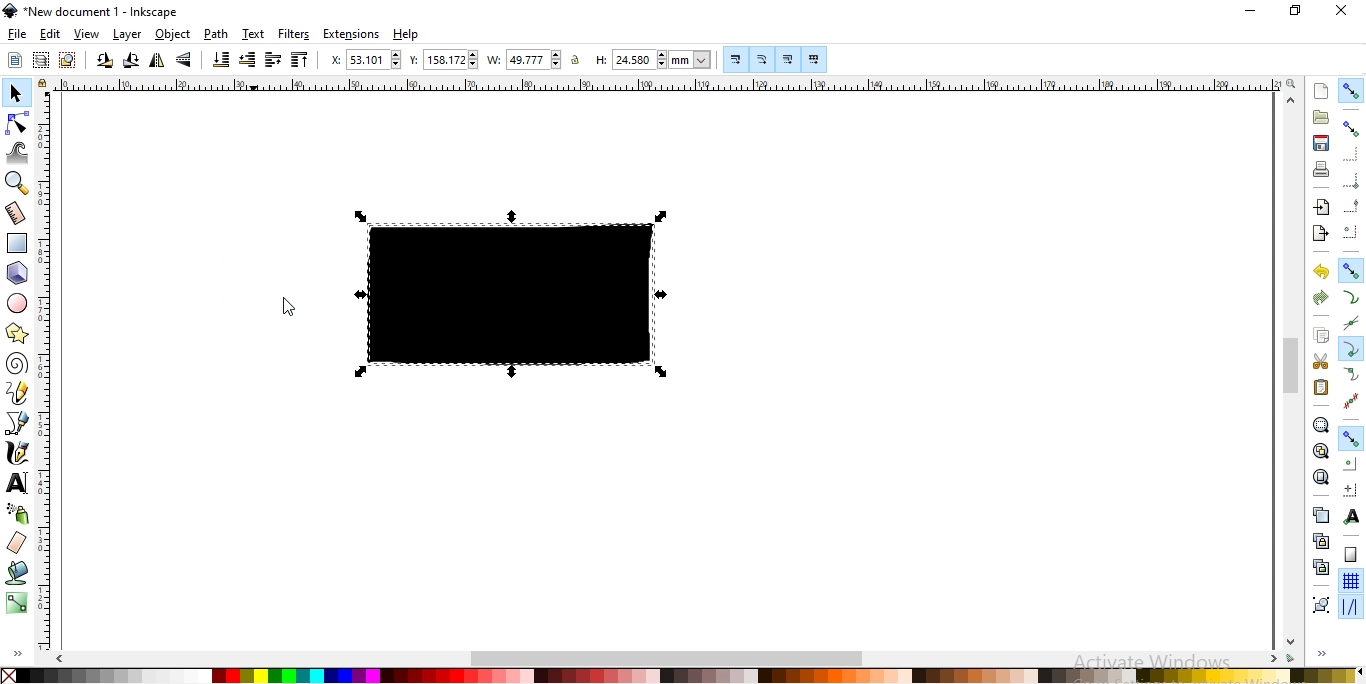 The image size is (1366, 684). Describe the element at coordinates (94, 11) in the screenshot. I see `new document 1 -Inkscape` at that location.